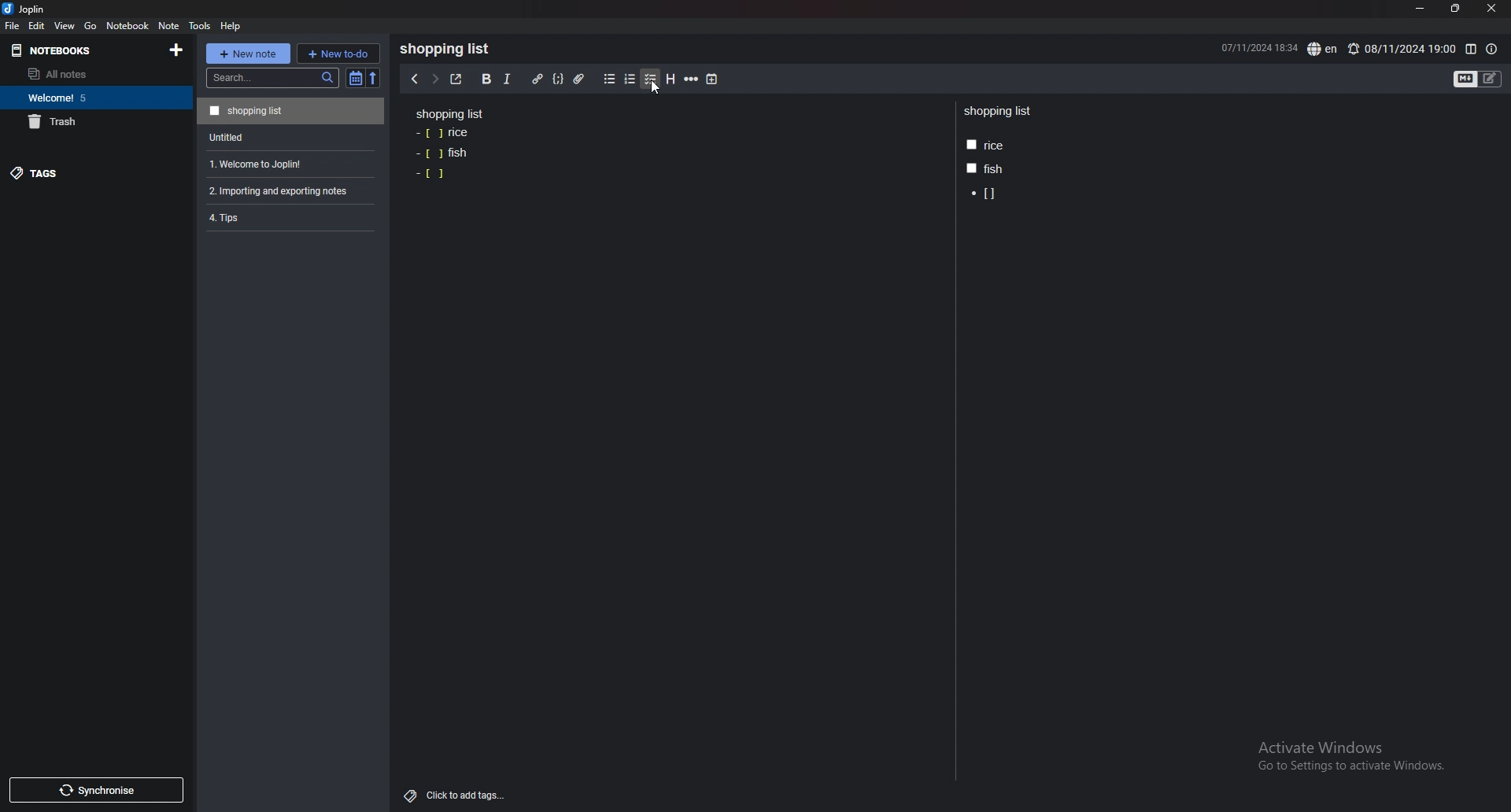  I want to click on Shopping list, so click(449, 49).